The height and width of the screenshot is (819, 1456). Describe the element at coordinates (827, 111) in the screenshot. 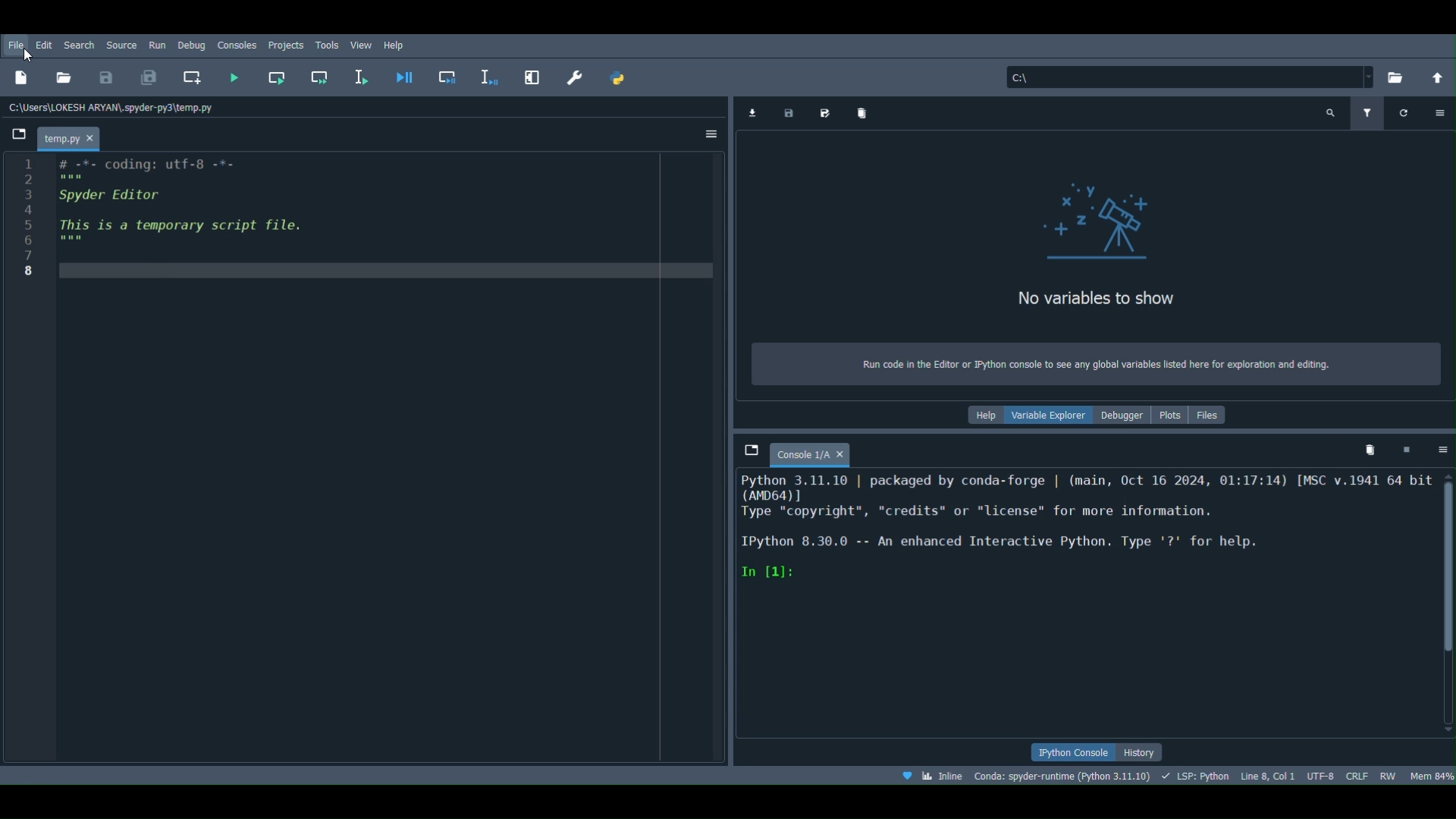

I see `Save data as` at that location.